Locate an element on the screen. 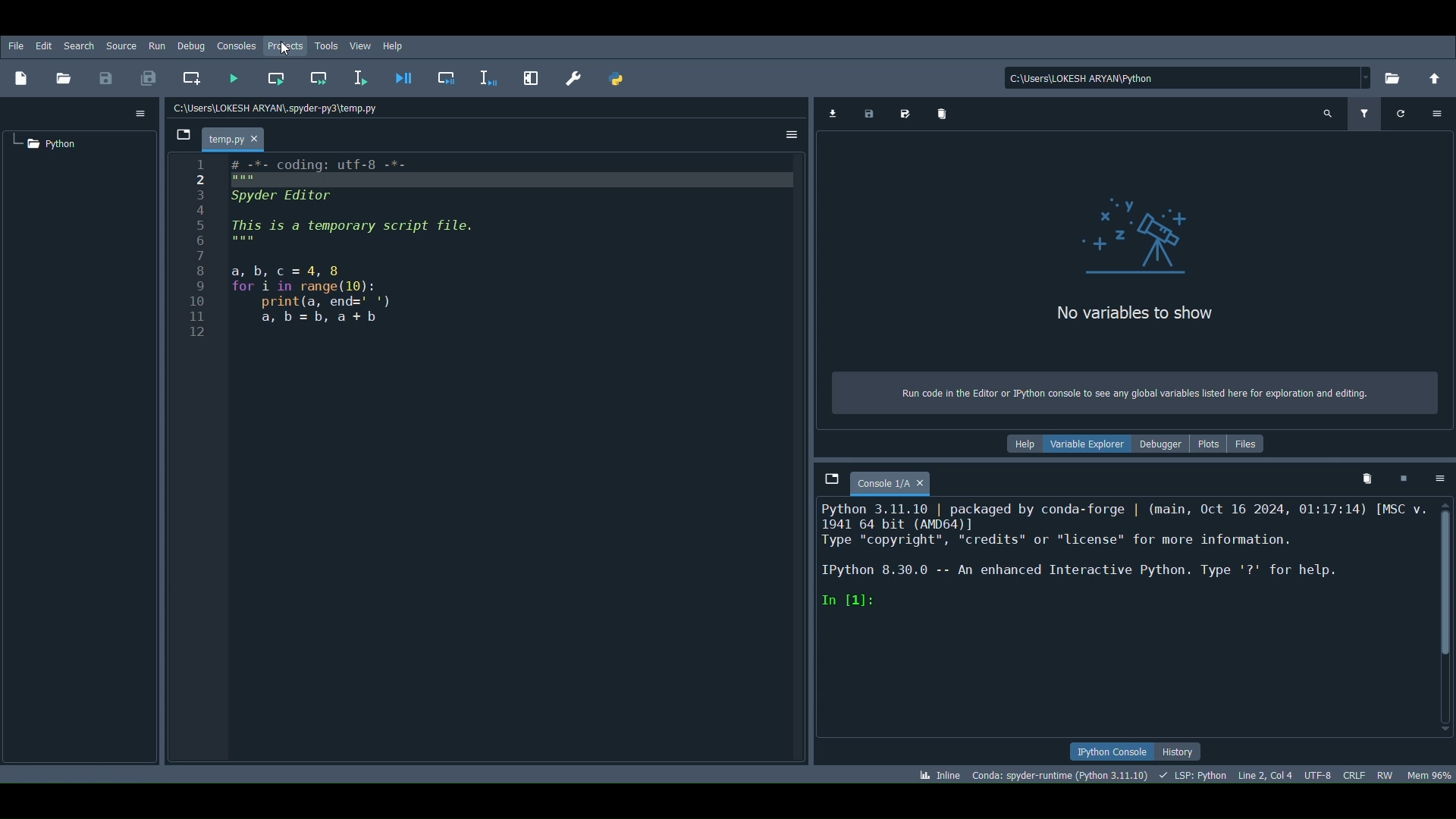 This screenshot has height=819, width=1456. Debug file (Ctrl + F5) is located at coordinates (404, 76).